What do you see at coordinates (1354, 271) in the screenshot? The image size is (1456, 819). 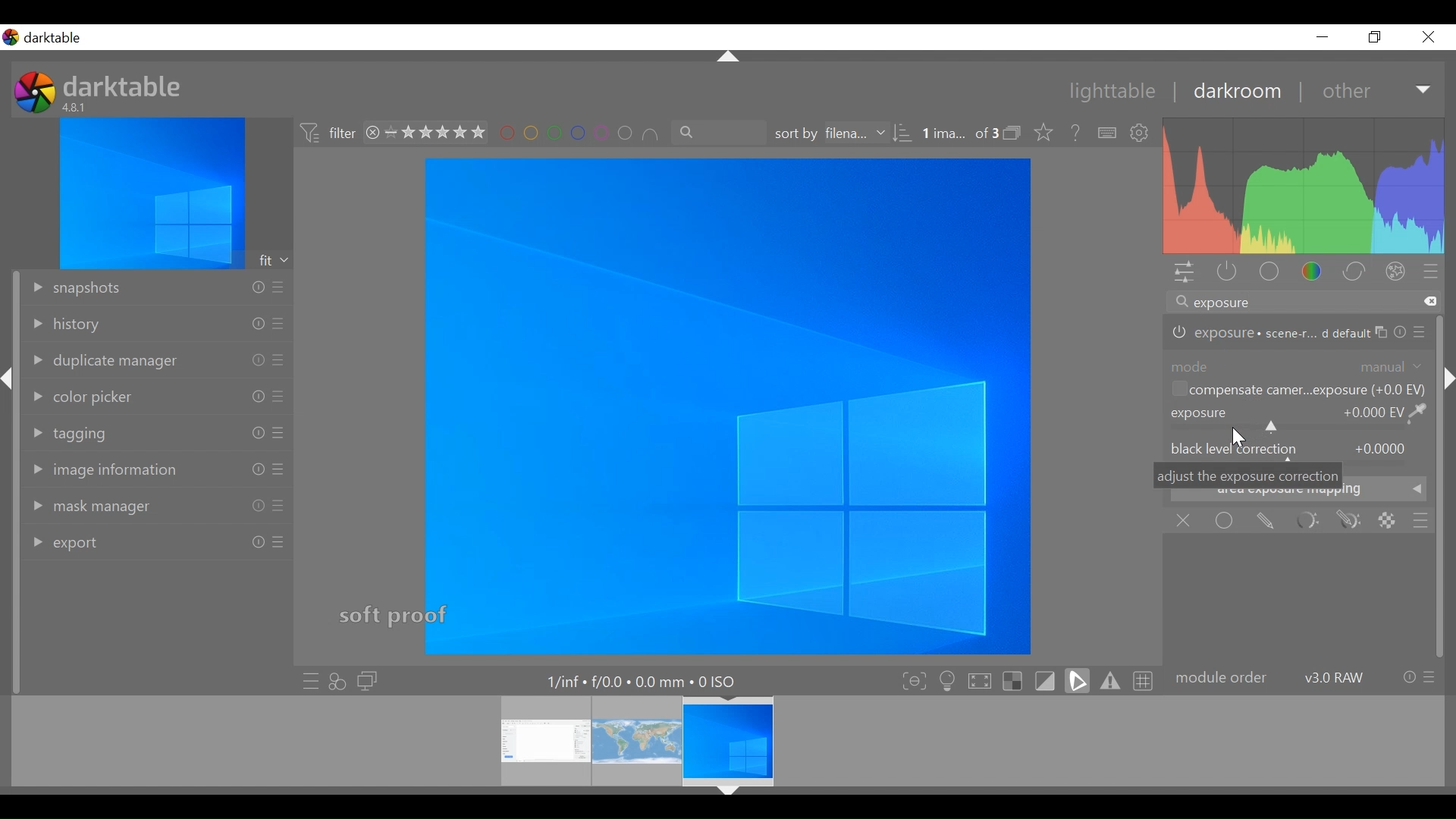 I see `correct` at bounding box center [1354, 271].